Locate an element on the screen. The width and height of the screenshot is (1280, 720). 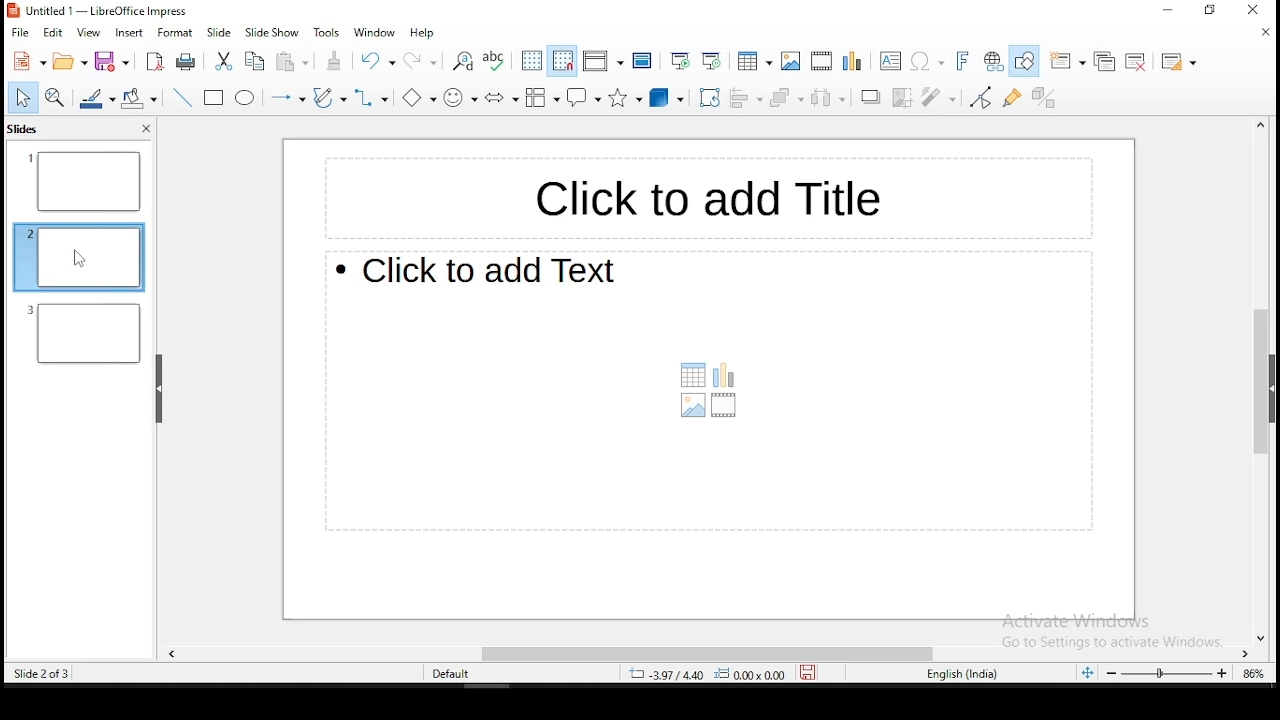
close window is located at coordinates (1259, 10).